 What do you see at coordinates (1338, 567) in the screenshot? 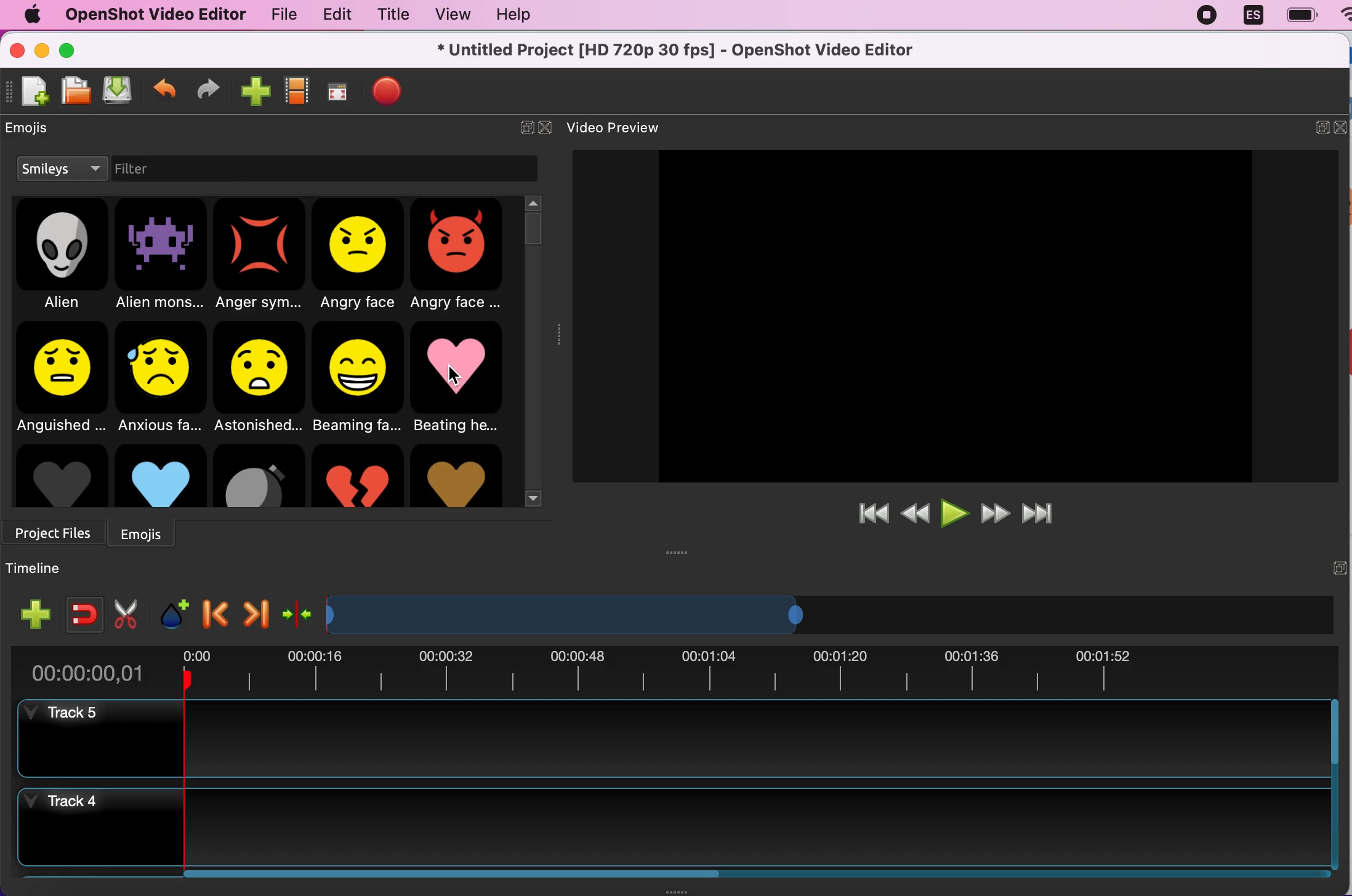
I see `expand/hide` at bounding box center [1338, 567].